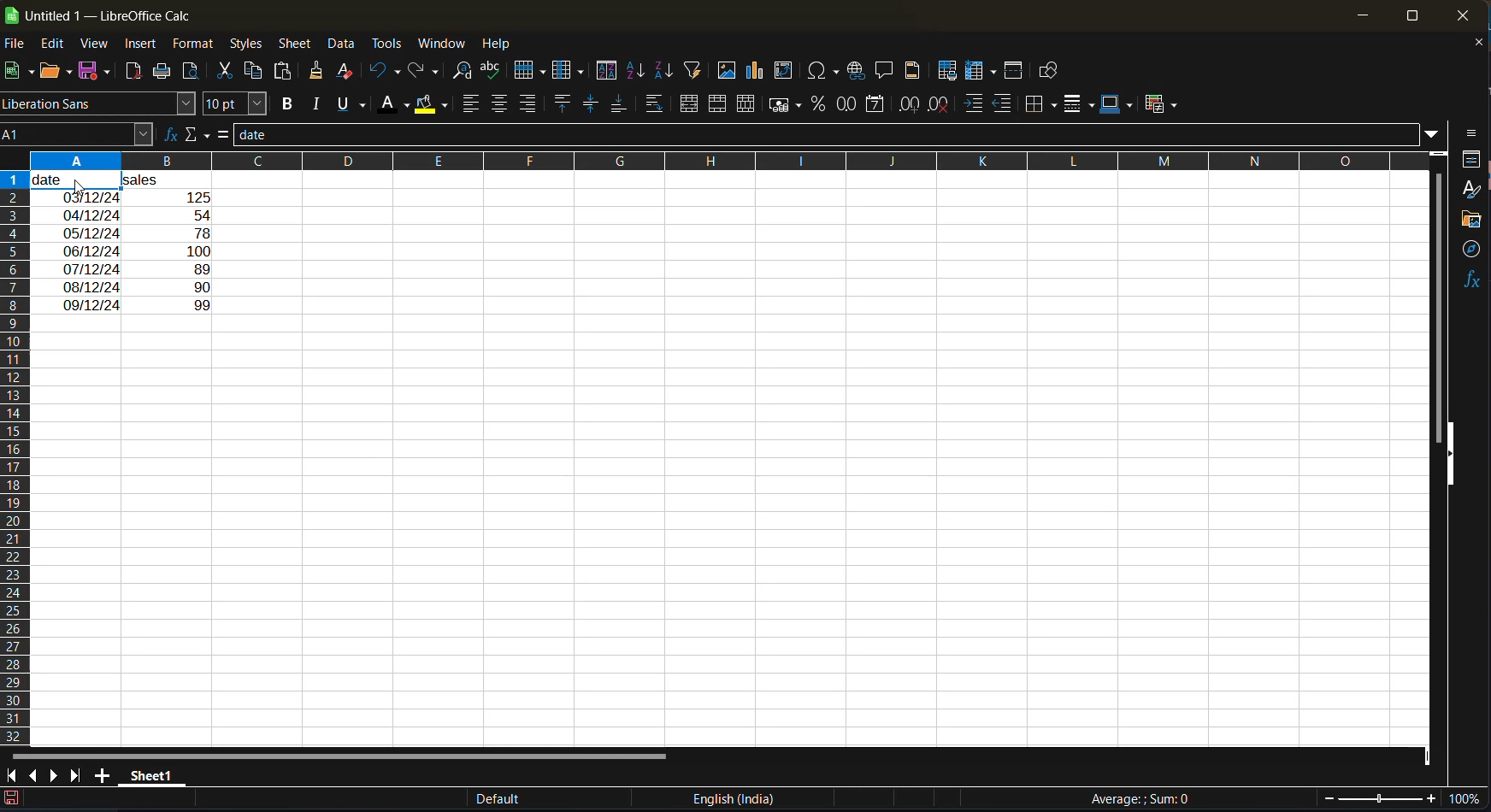 This screenshot has width=1491, height=812. I want to click on delete decimal place, so click(941, 107).